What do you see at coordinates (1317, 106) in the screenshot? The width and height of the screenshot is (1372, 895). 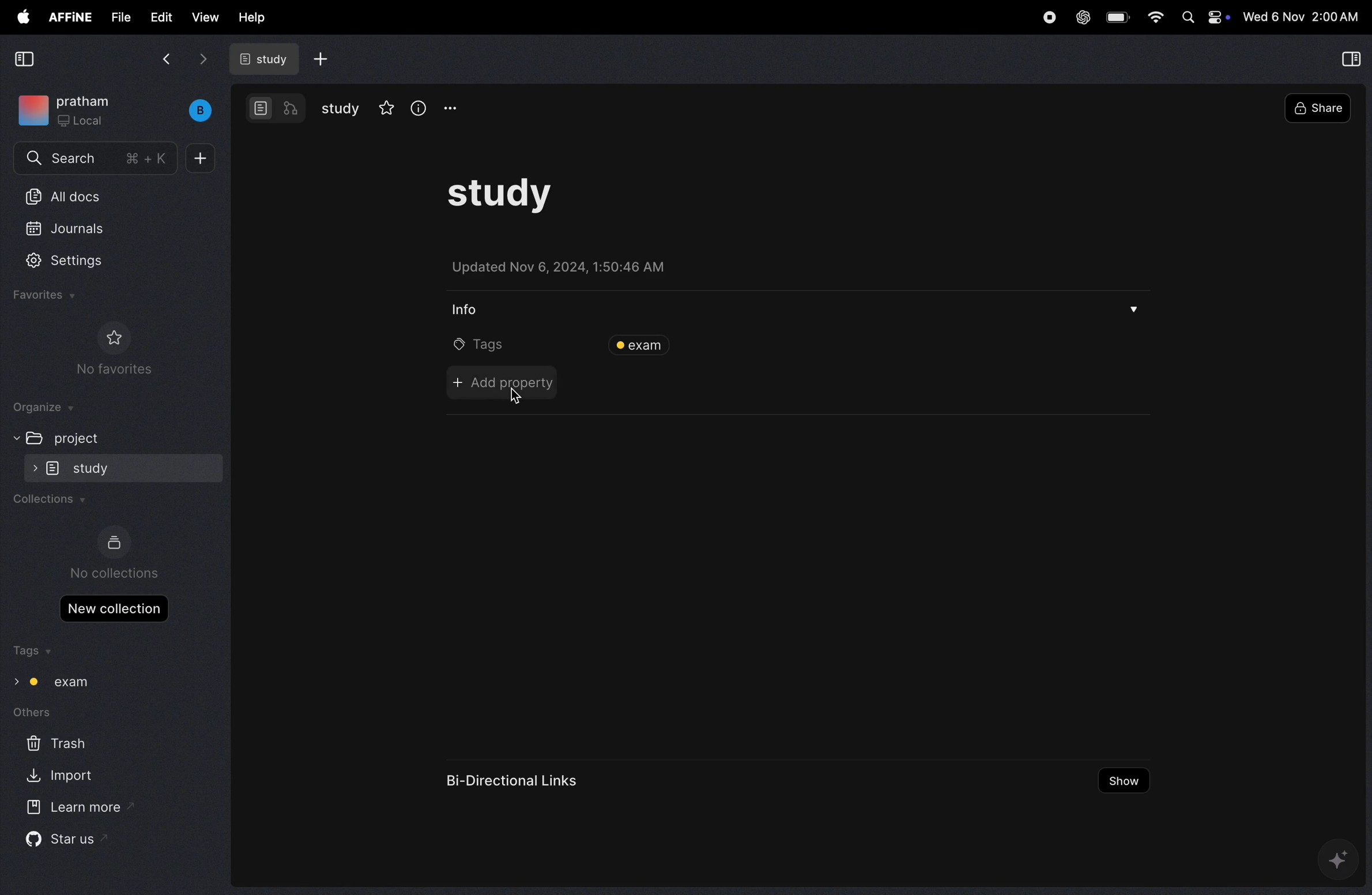 I see `share` at bounding box center [1317, 106].